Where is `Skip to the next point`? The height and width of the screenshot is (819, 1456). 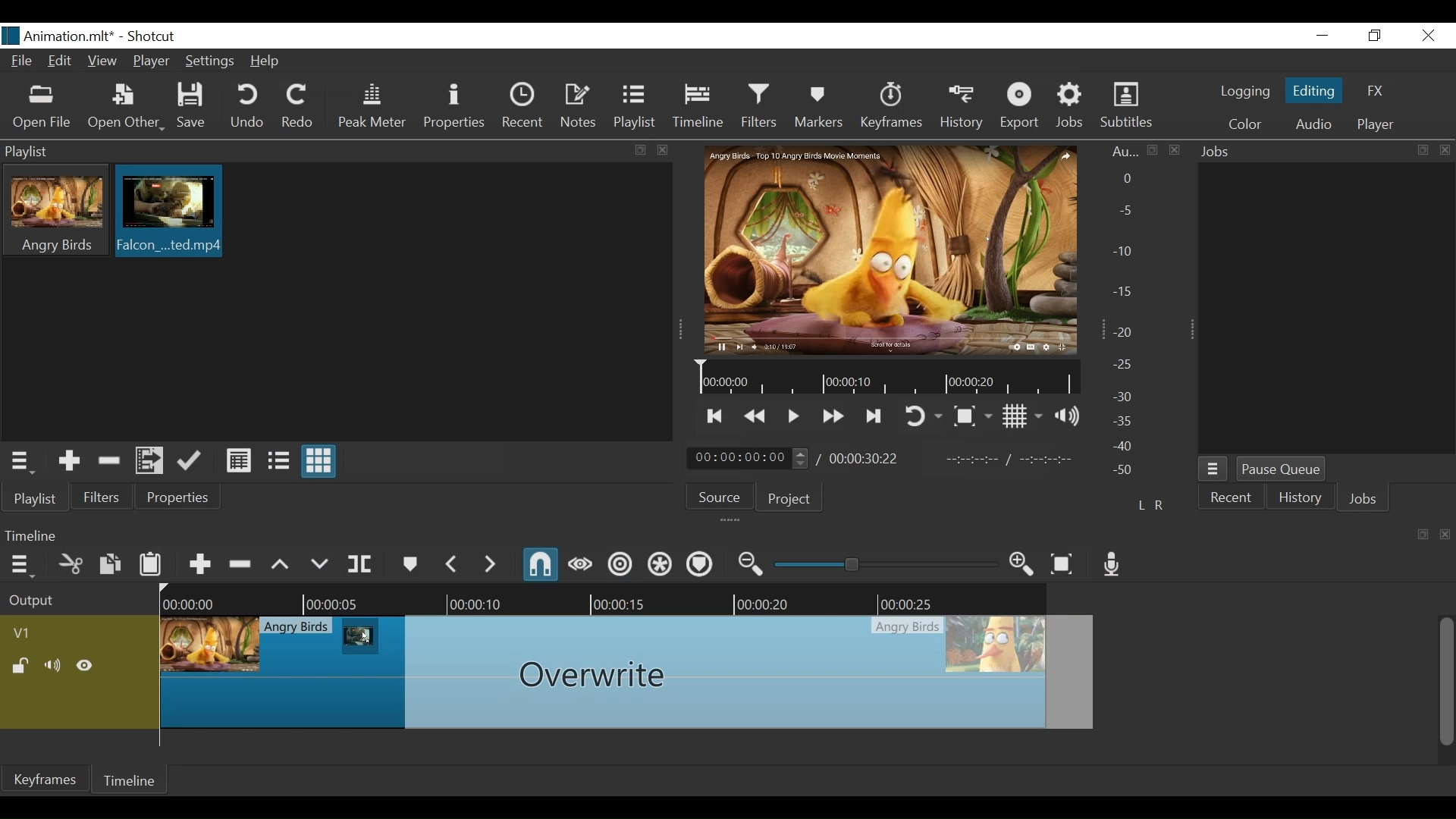 Skip to the next point is located at coordinates (875, 418).